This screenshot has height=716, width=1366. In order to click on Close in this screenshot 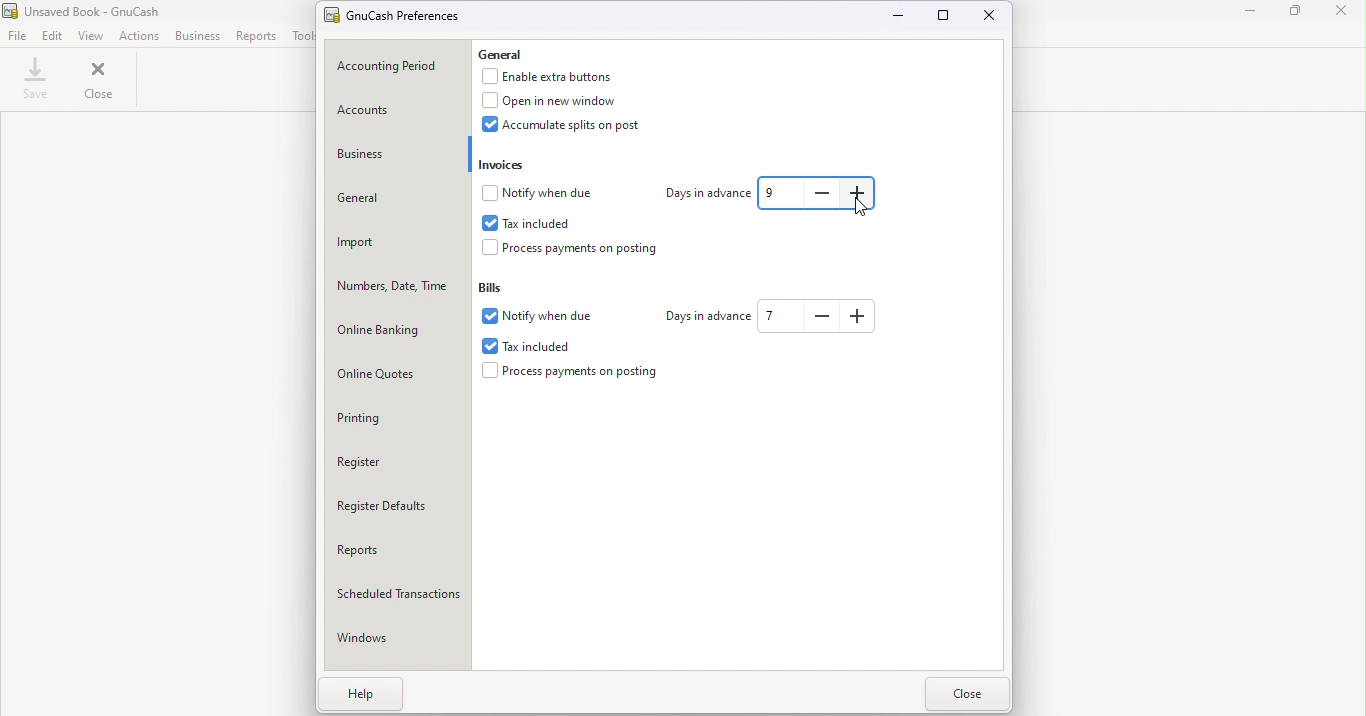, I will do `click(991, 17)`.